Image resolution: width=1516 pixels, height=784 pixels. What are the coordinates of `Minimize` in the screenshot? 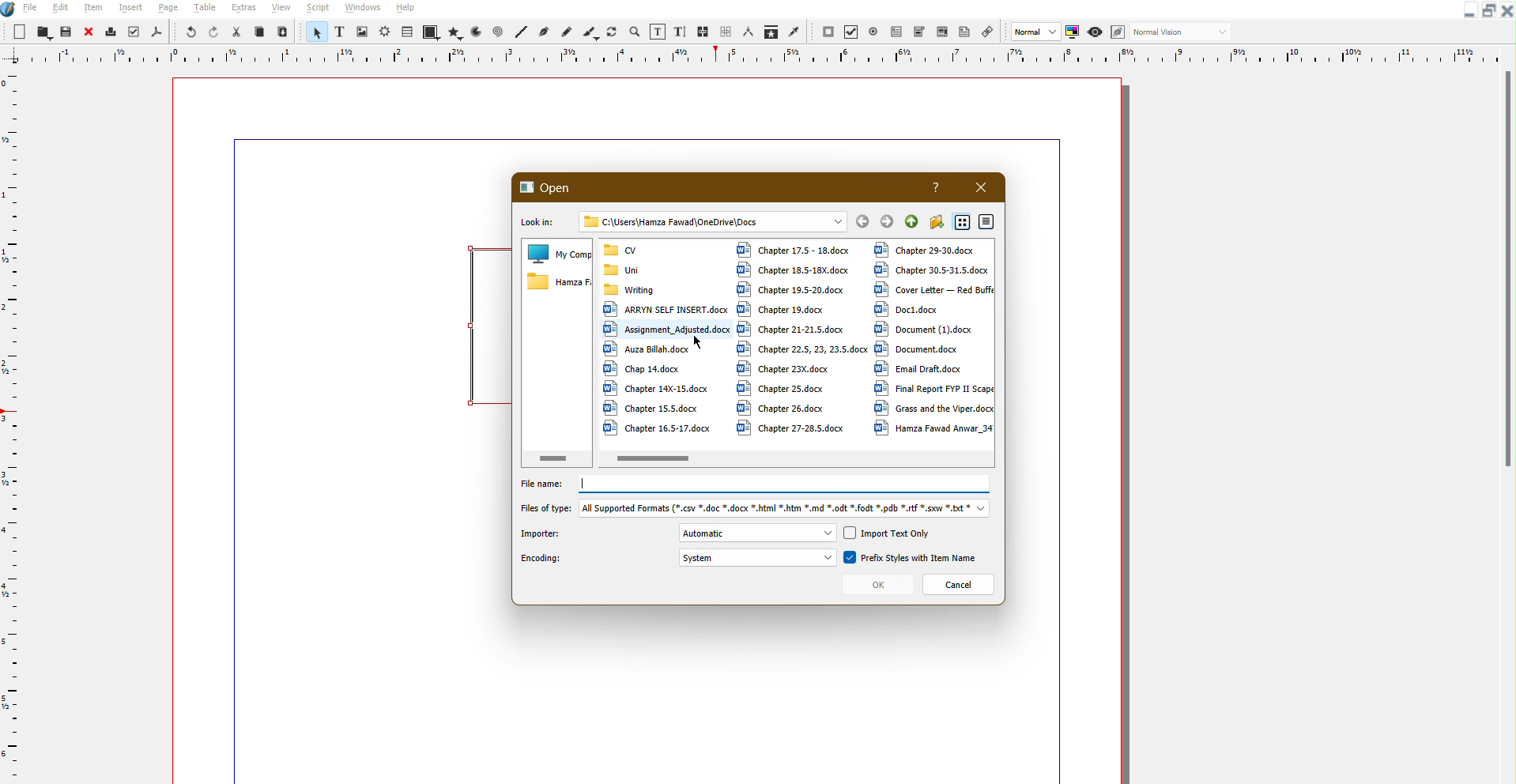 It's located at (1467, 10).